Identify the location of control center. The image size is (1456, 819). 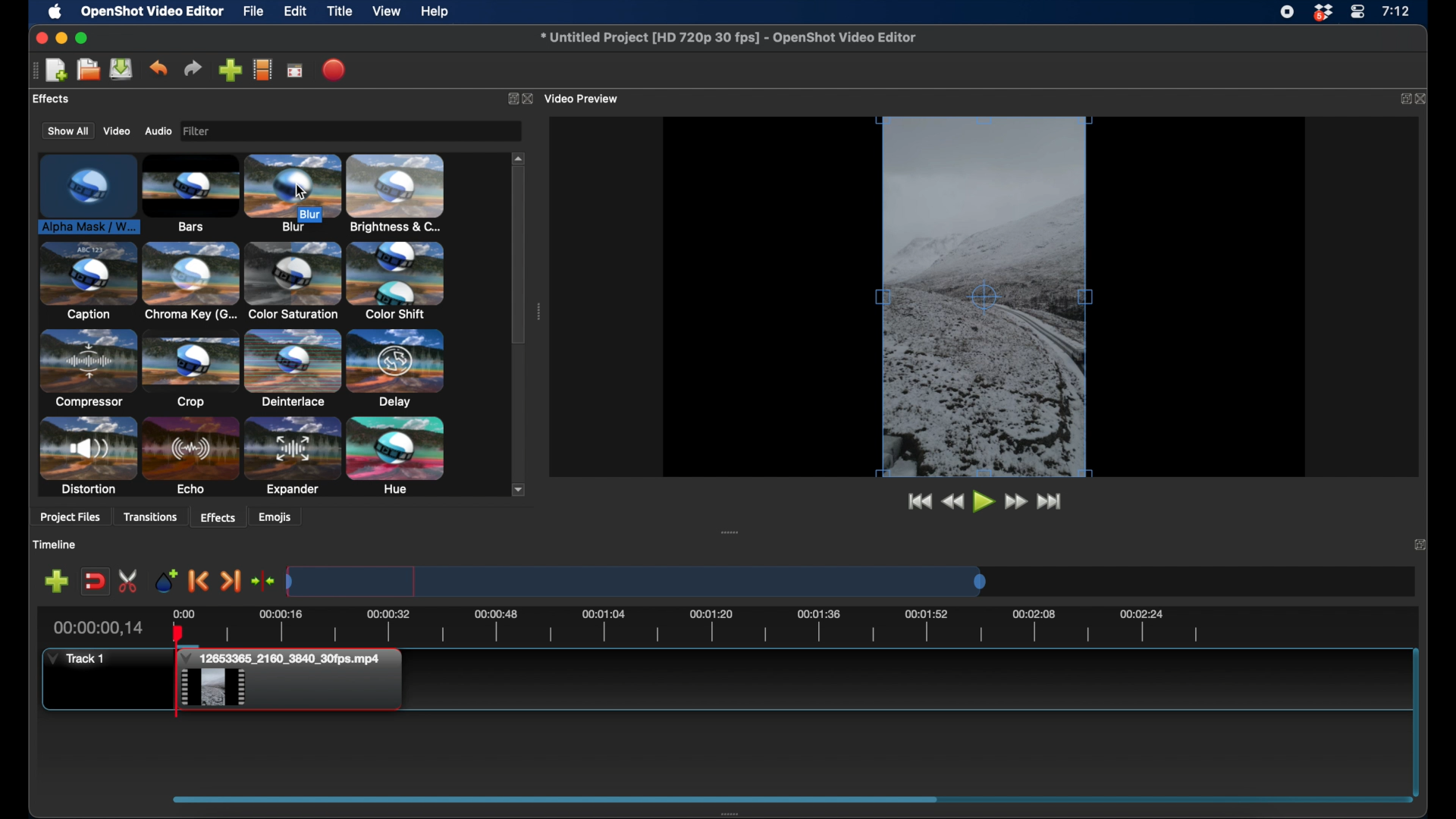
(1357, 12).